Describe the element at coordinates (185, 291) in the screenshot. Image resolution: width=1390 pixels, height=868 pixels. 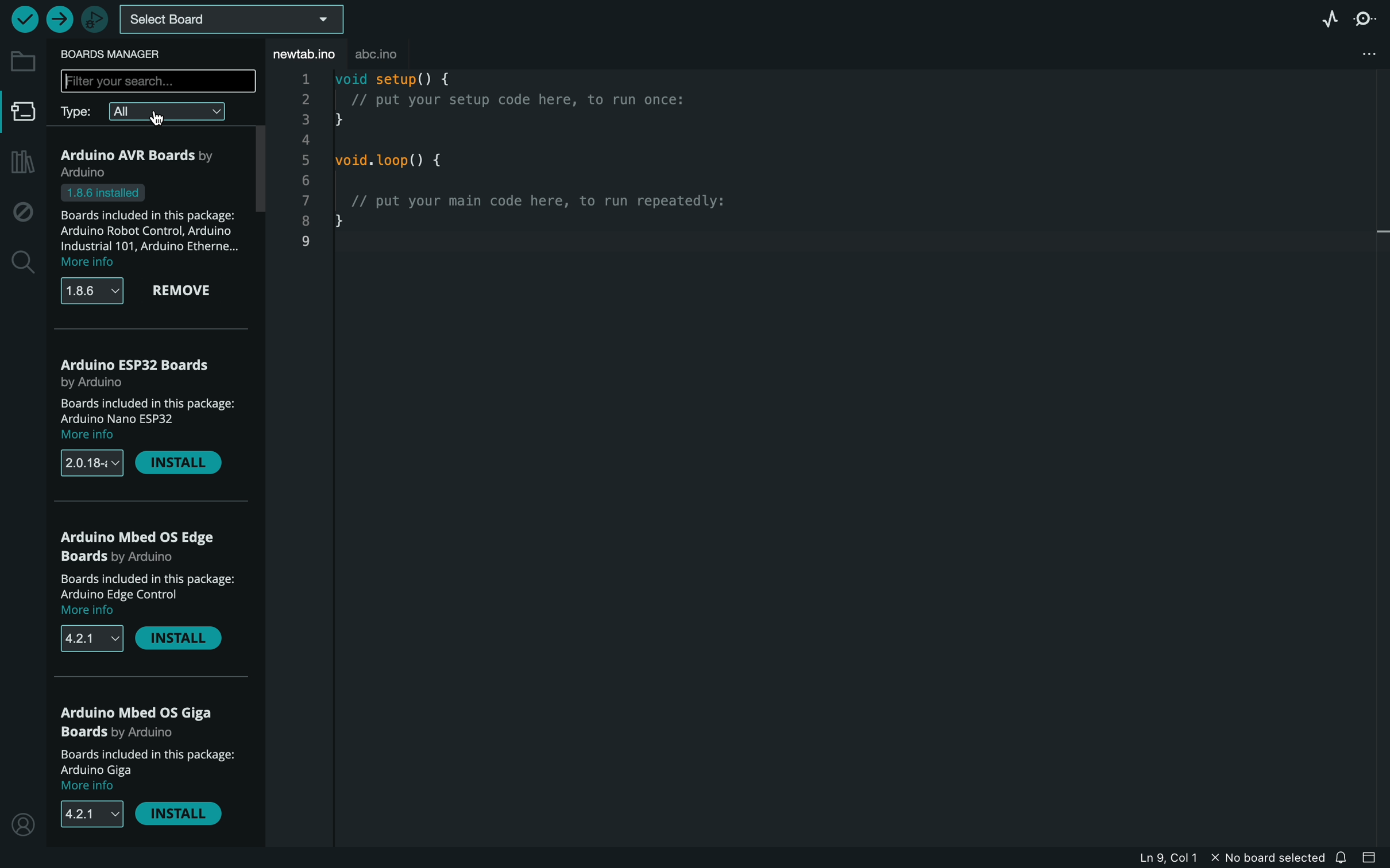
I see `remove` at that location.